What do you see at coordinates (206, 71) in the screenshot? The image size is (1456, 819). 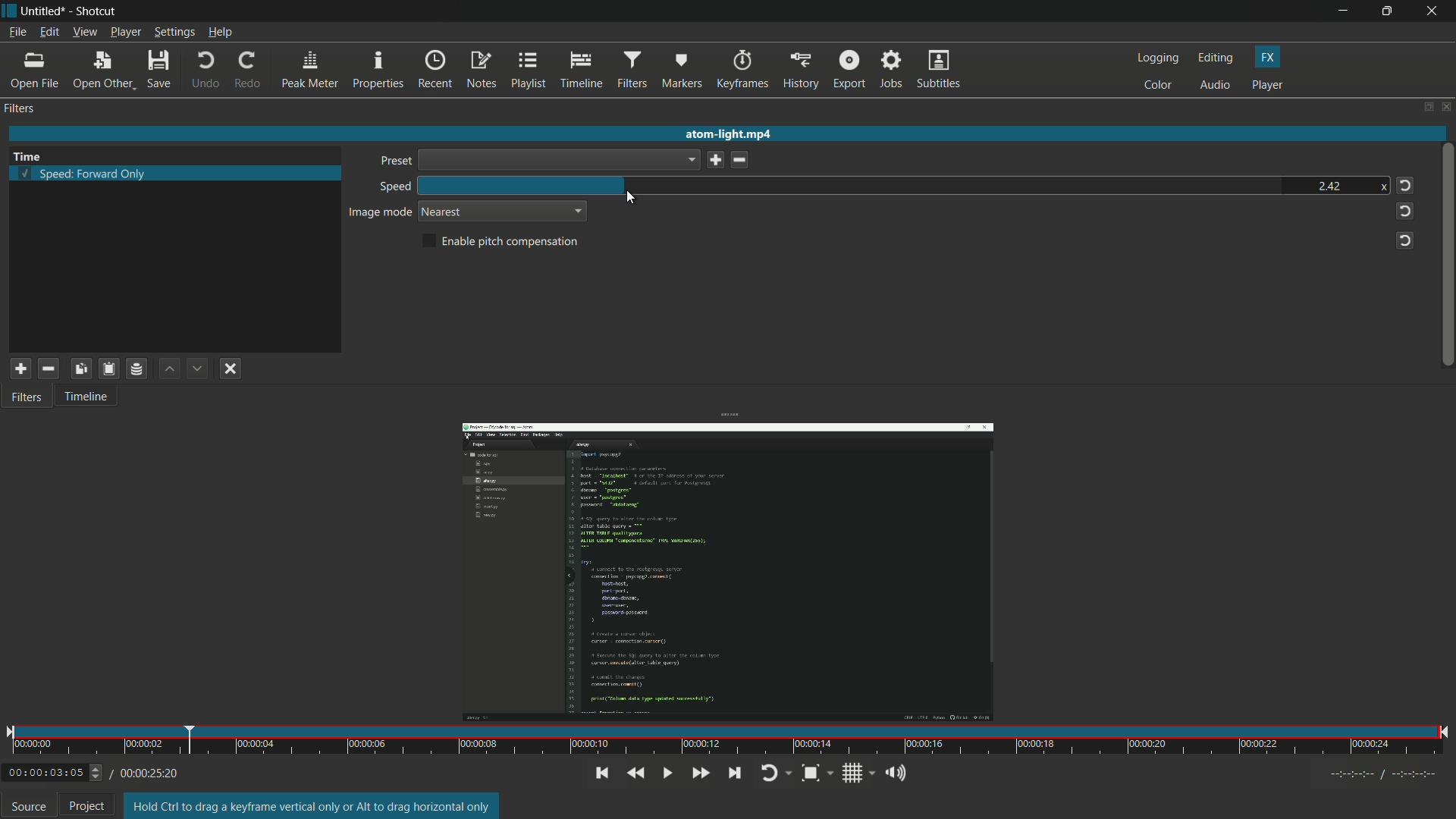 I see `undo` at bounding box center [206, 71].